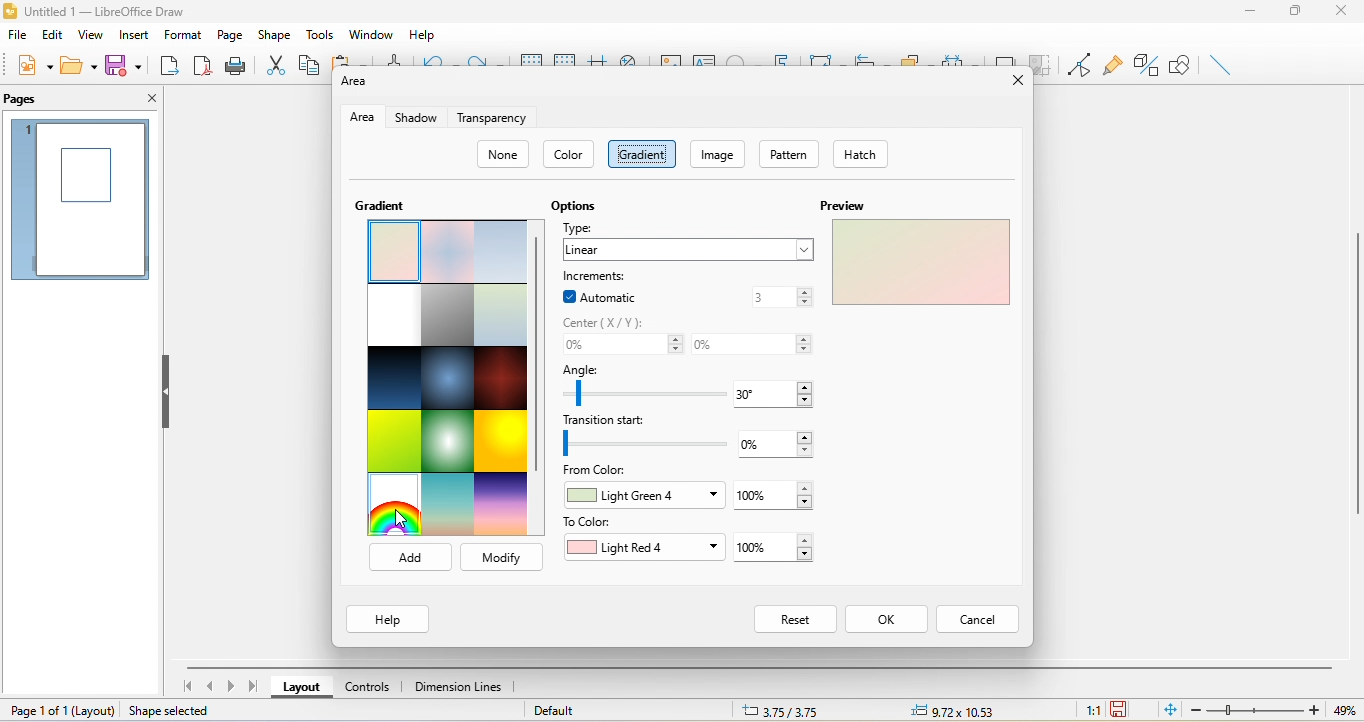  What do you see at coordinates (386, 620) in the screenshot?
I see `help` at bounding box center [386, 620].